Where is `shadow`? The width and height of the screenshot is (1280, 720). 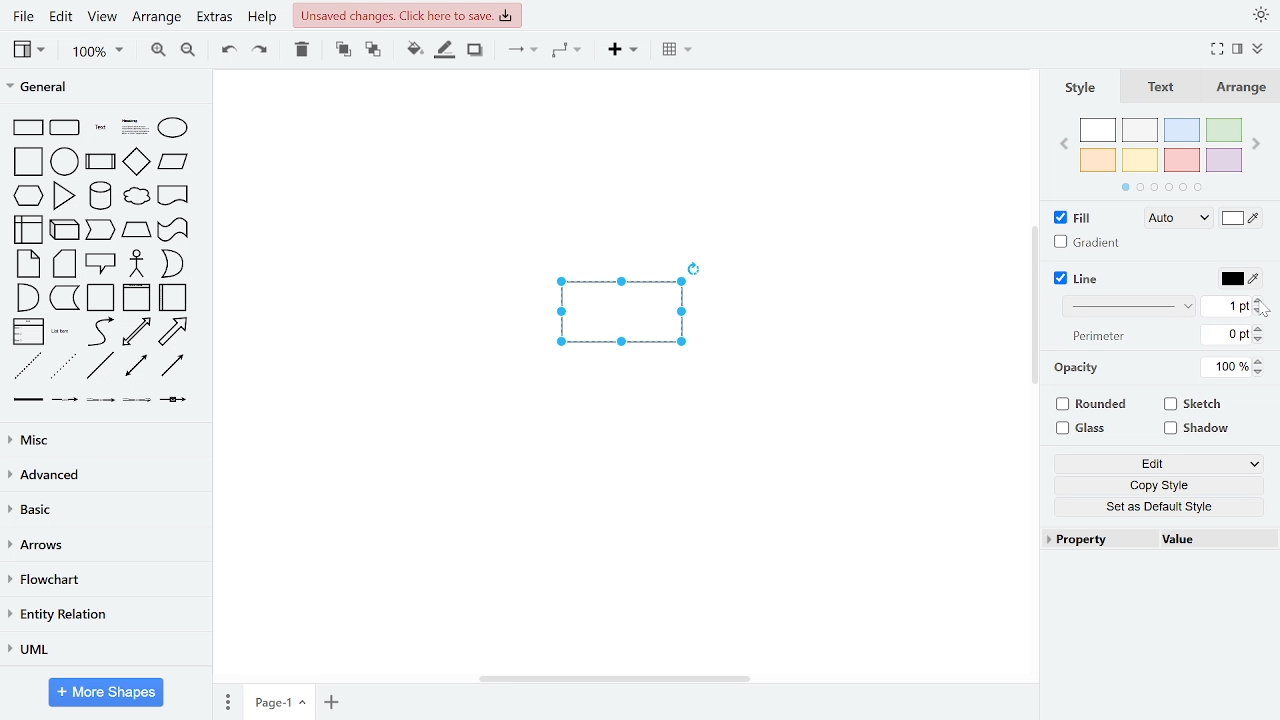 shadow is located at coordinates (1198, 429).